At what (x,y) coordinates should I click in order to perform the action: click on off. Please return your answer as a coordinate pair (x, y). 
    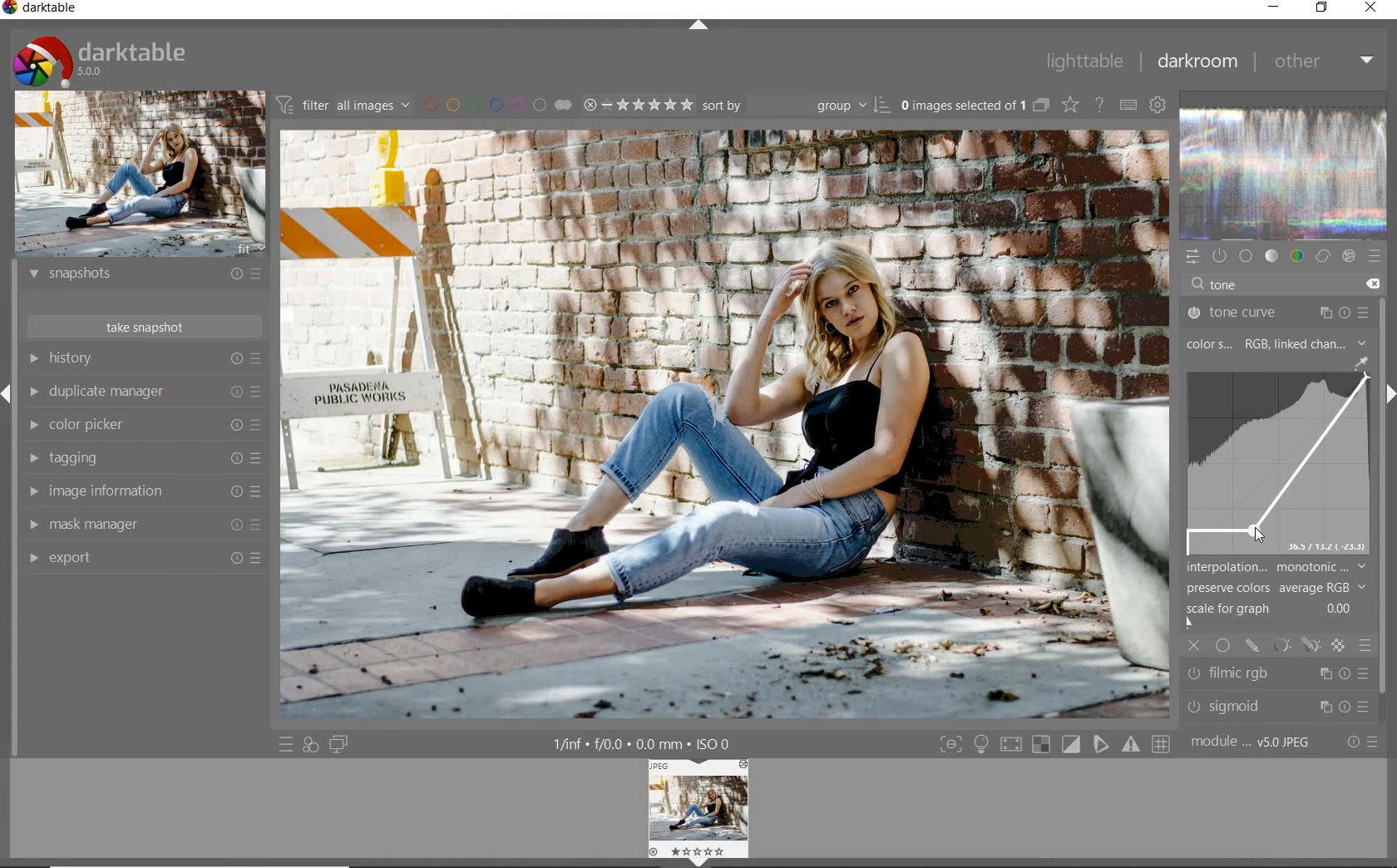
    Looking at the image, I should click on (1196, 645).